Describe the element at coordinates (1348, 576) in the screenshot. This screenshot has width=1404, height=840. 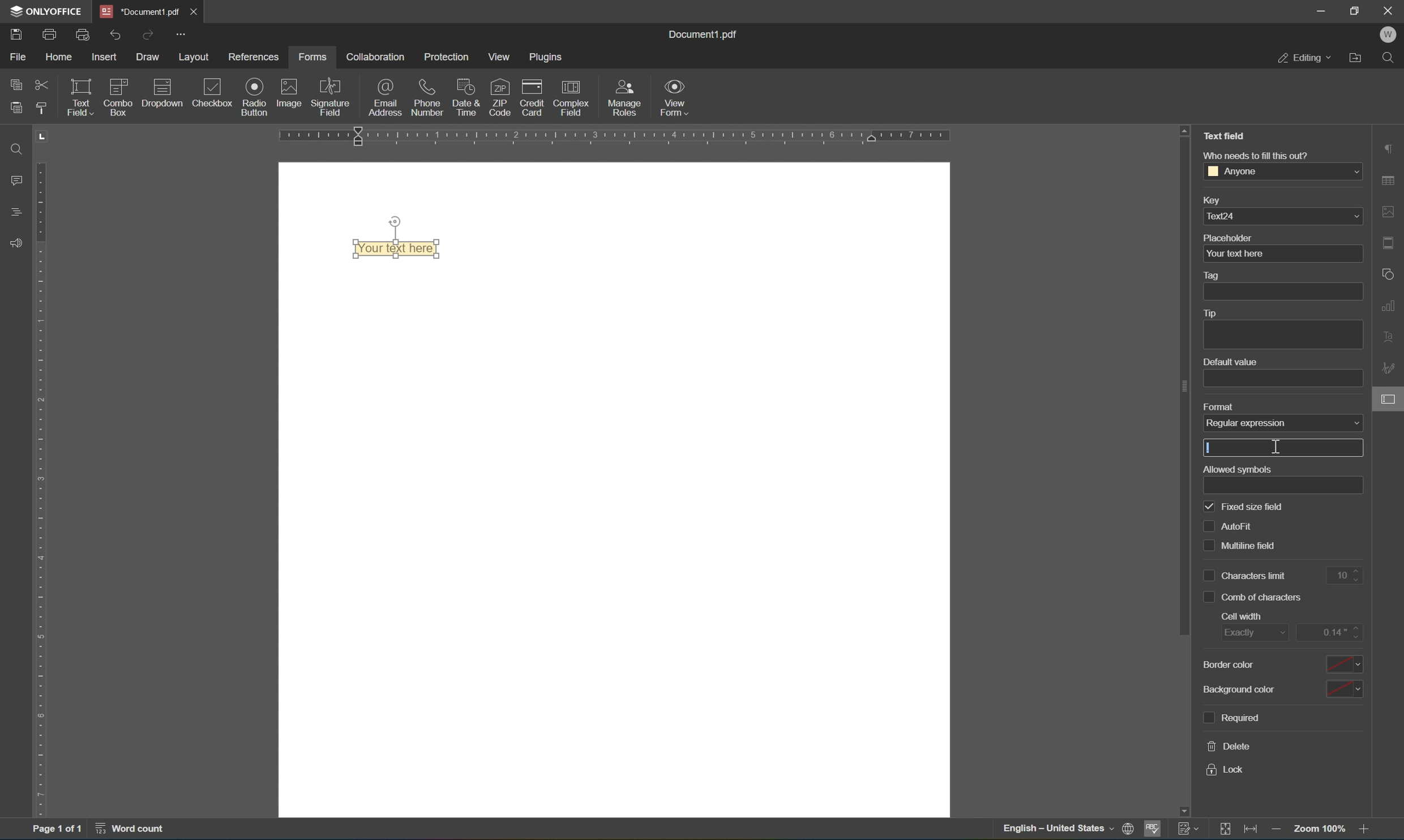
I see `10` at that location.